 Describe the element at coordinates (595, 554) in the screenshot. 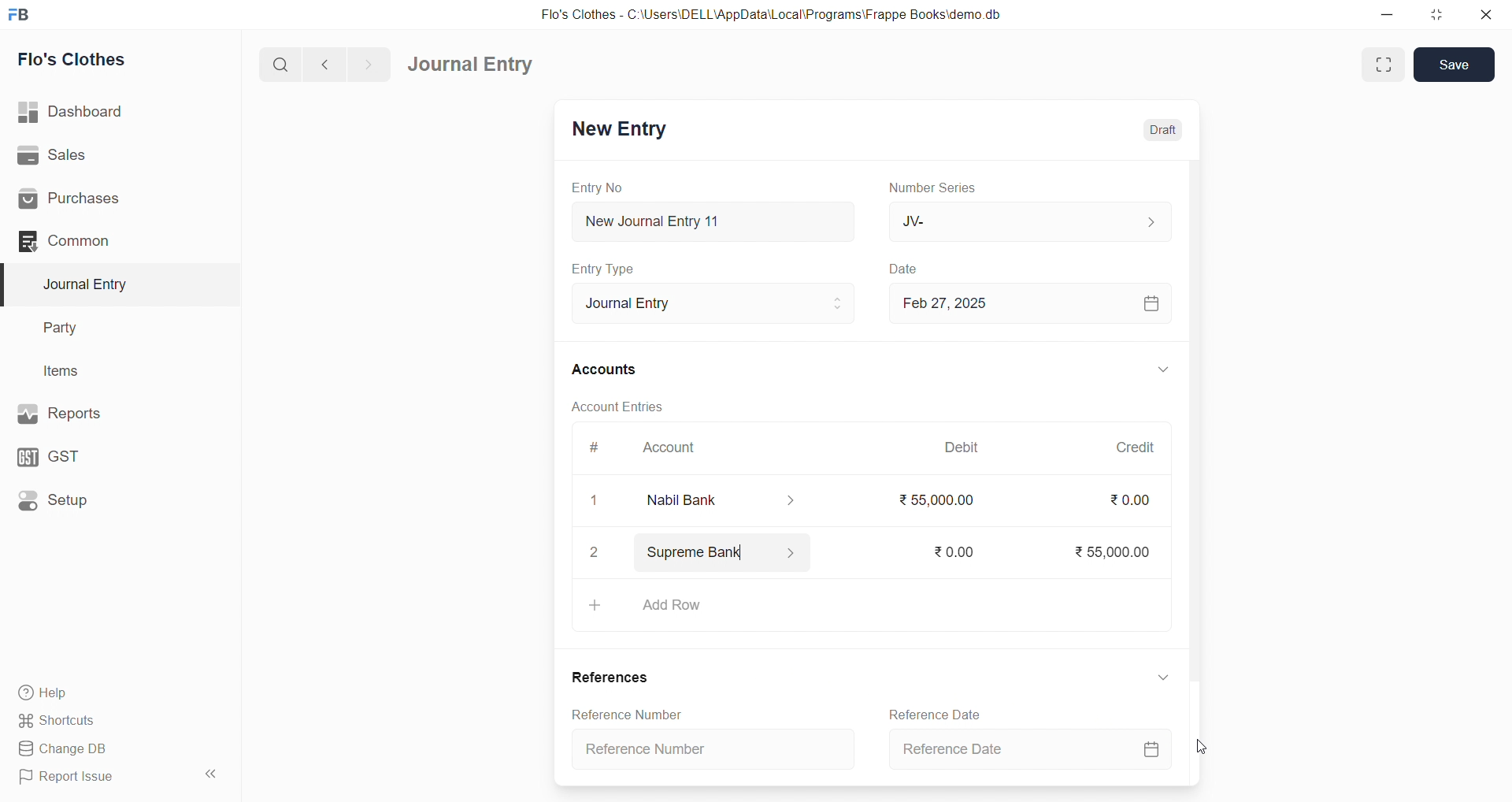

I see `2` at that location.